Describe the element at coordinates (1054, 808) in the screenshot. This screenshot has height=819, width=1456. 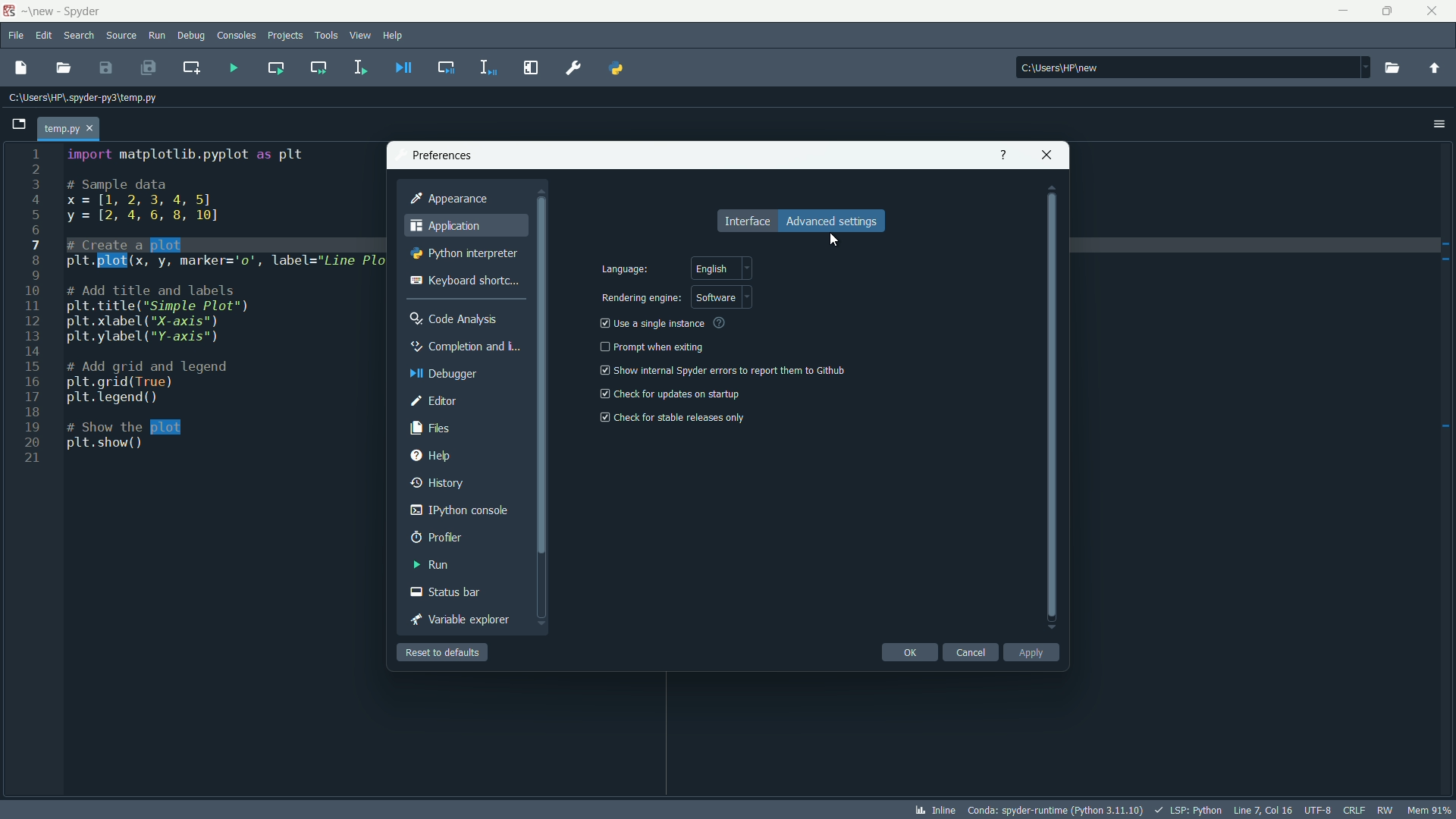
I see `interpreter` at that location.